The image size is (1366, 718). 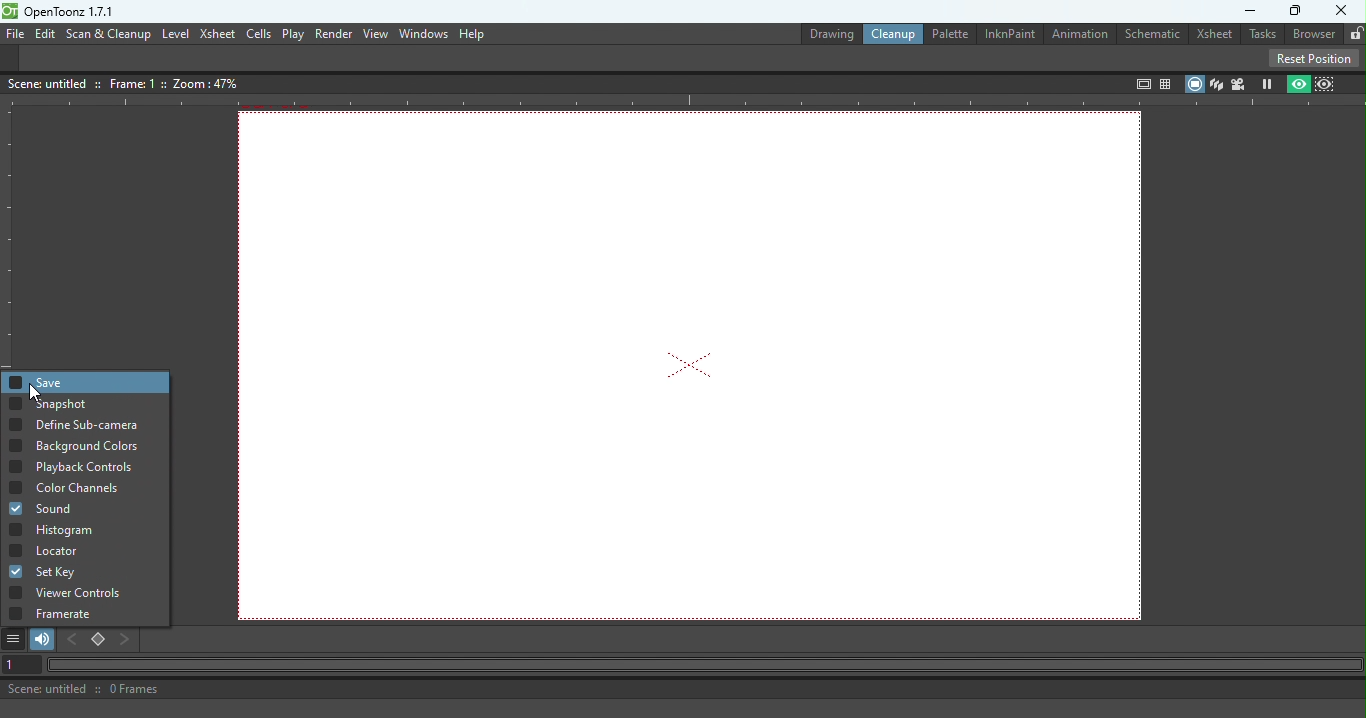 What do you see at coordinates (126, 640) in the screenshot?
I see `Next key` at bounding box center [126, 640].